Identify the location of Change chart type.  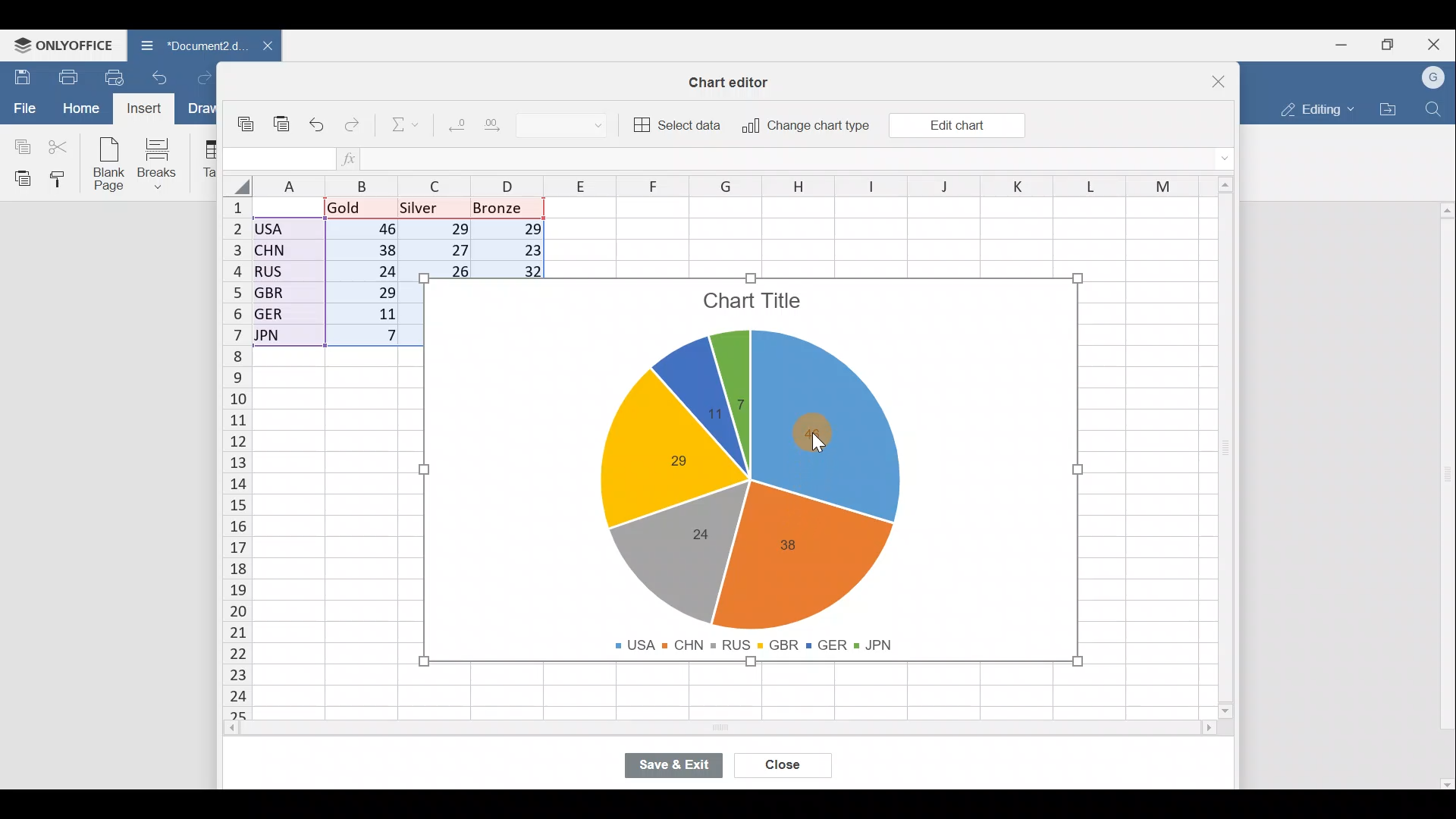
(801, 127).